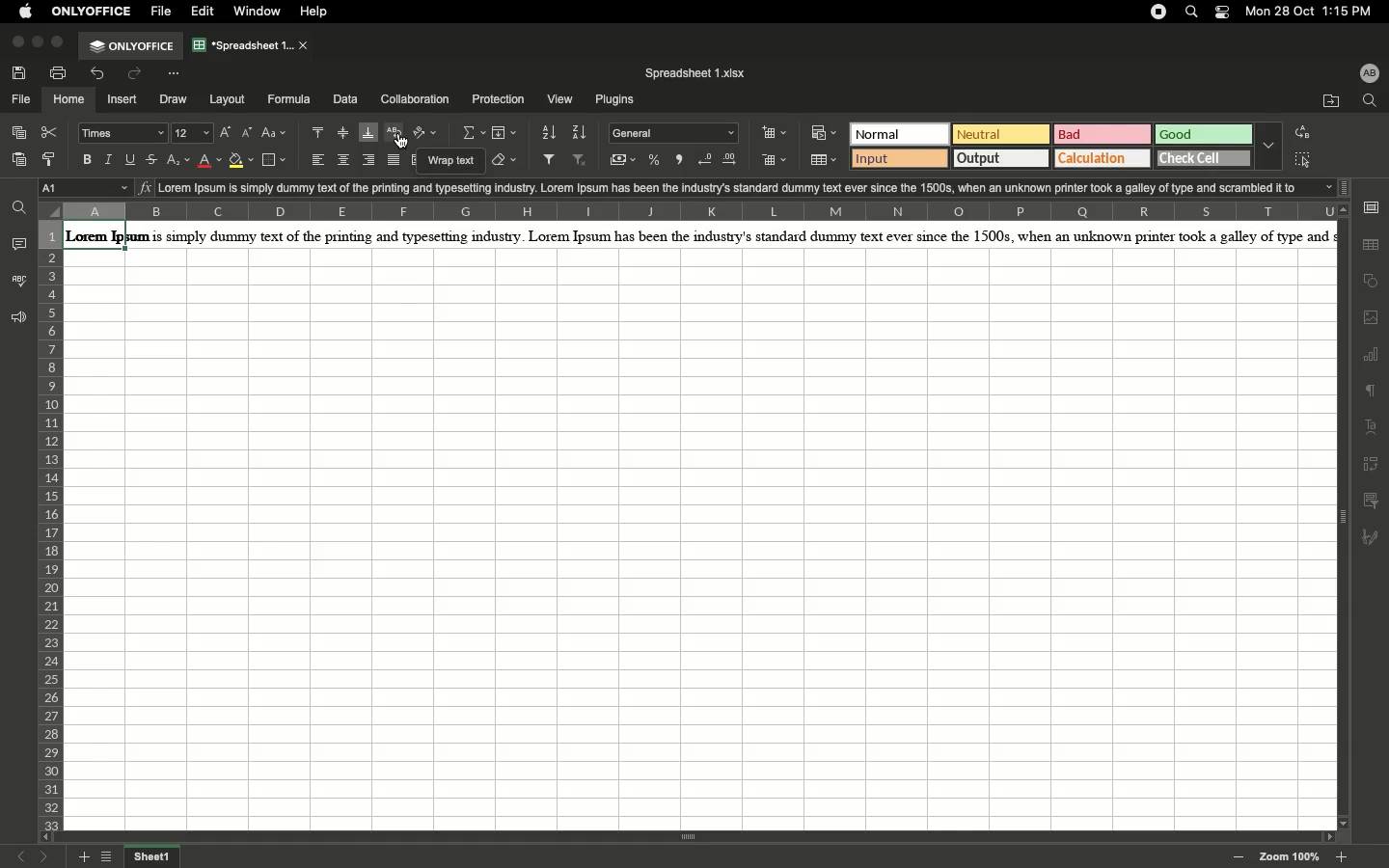 The image size is (1389, 868). Describe the element at coordinates (776, 133) in the screenshot. I see `Insert cells` at that location.